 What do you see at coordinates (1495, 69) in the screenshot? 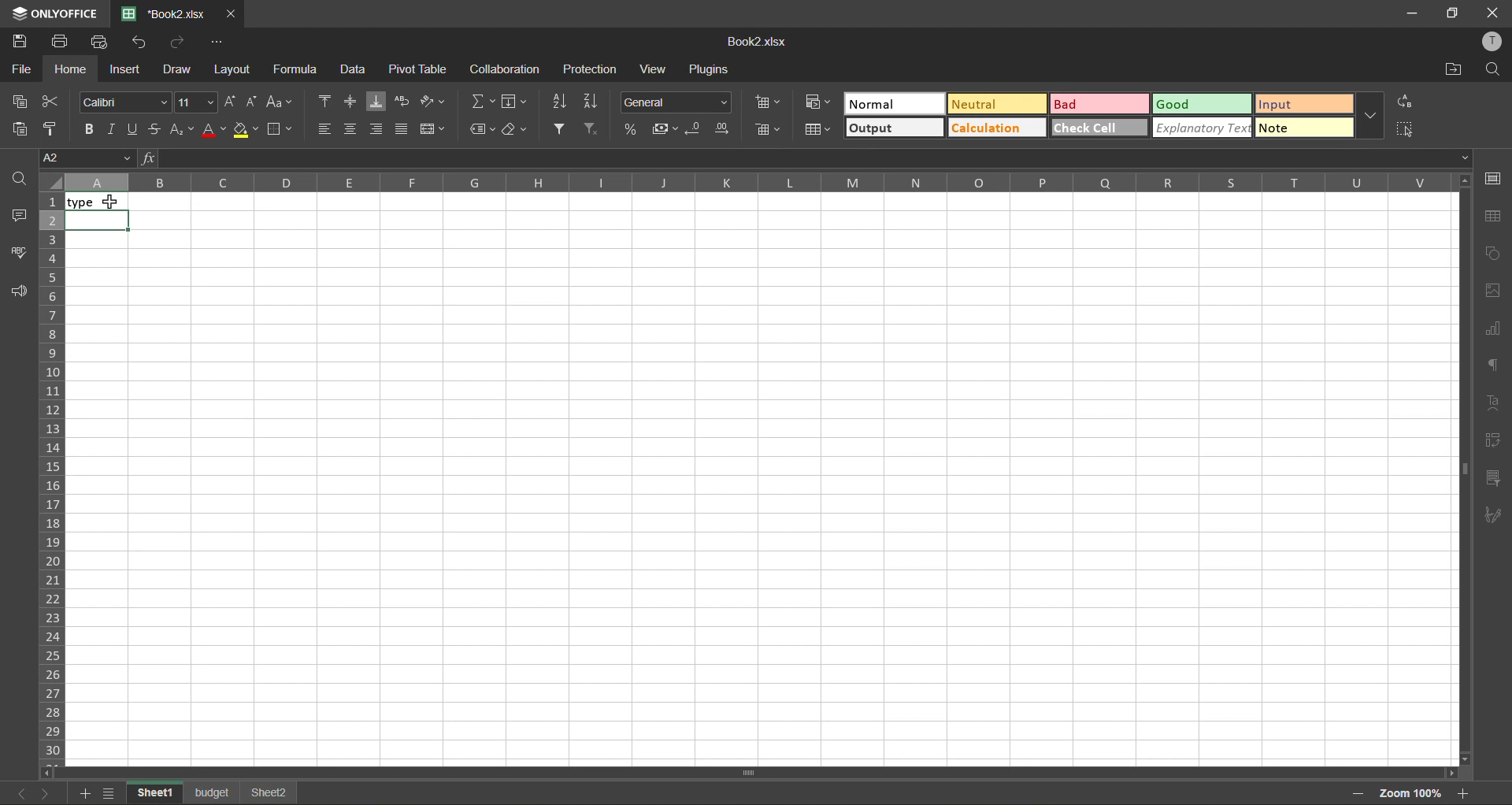
I see `find` at bounding box center [1495, 69].